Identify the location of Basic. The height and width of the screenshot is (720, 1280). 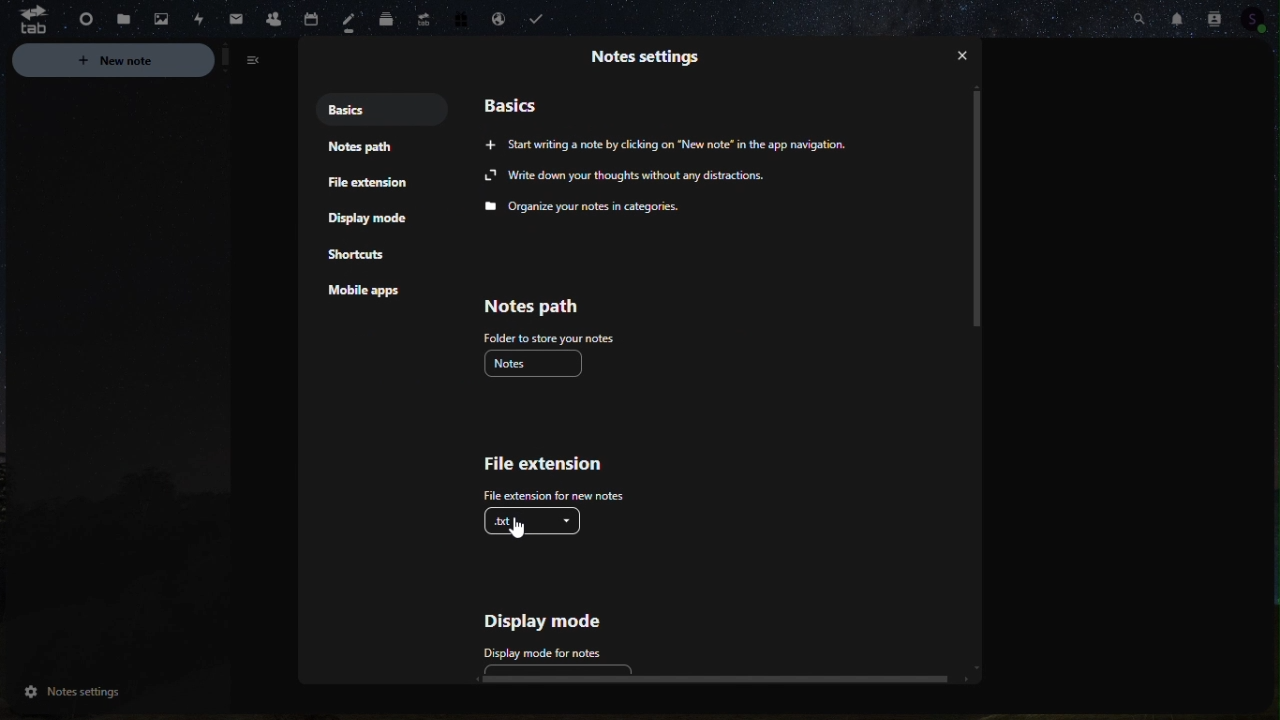
(342, 108).